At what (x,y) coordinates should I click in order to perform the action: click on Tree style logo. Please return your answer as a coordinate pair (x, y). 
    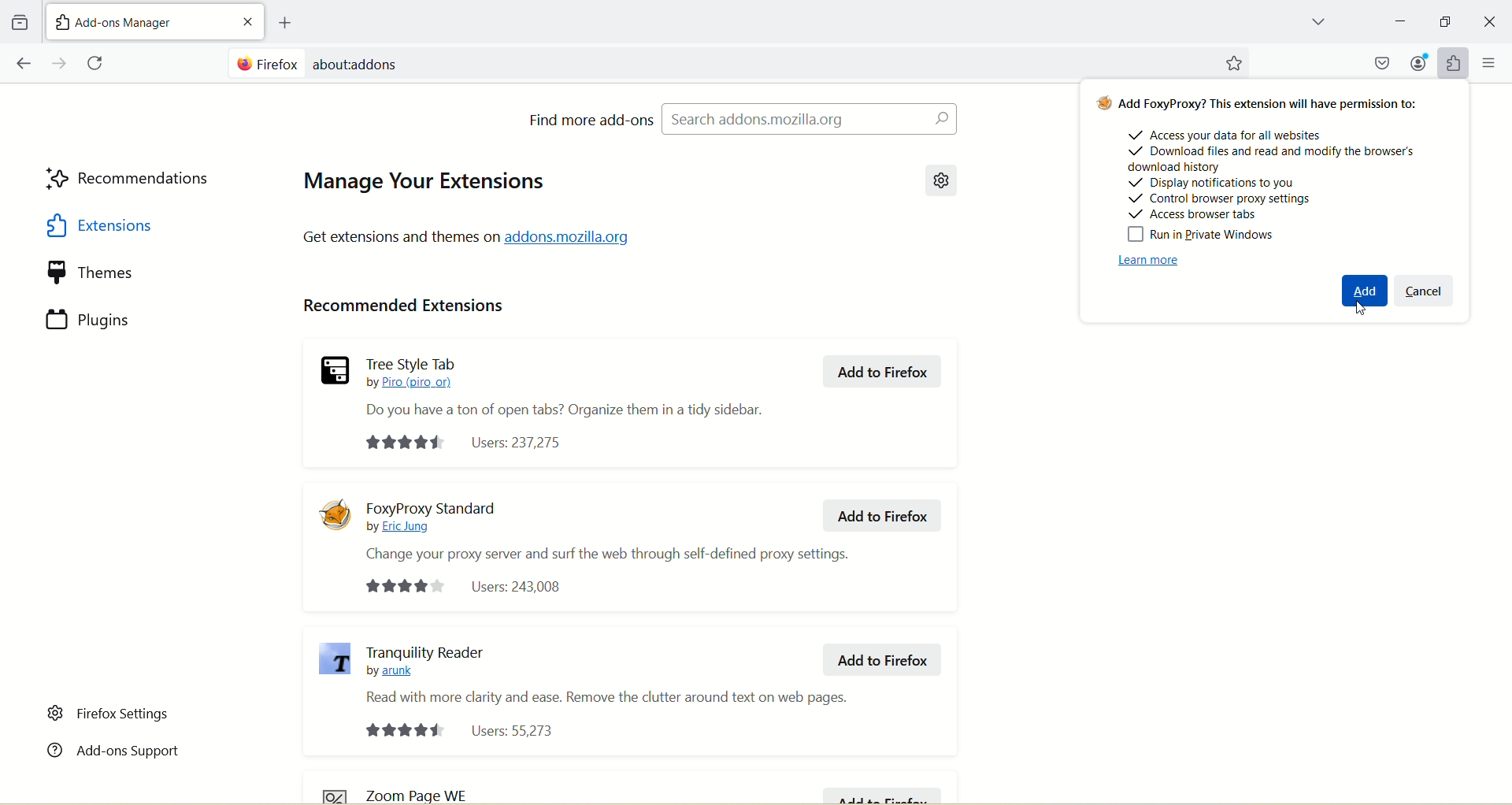
    Looking at the image, I should click on (335, 369).